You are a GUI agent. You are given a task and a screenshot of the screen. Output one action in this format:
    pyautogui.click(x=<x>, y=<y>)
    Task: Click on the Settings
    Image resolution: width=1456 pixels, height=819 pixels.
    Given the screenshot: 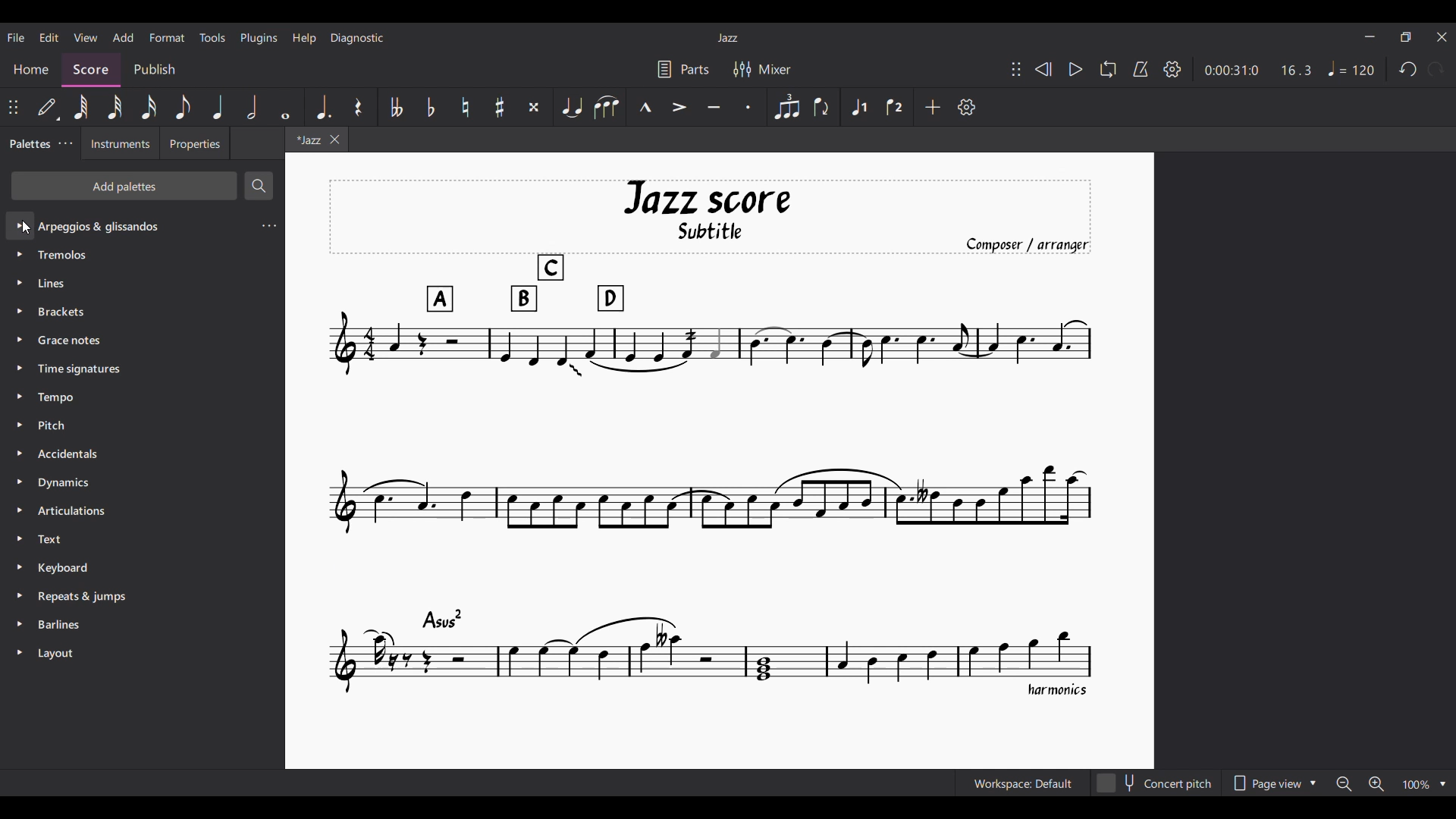 What is the action you would take?
    pyautogui.click(x=1172, y=69)
    